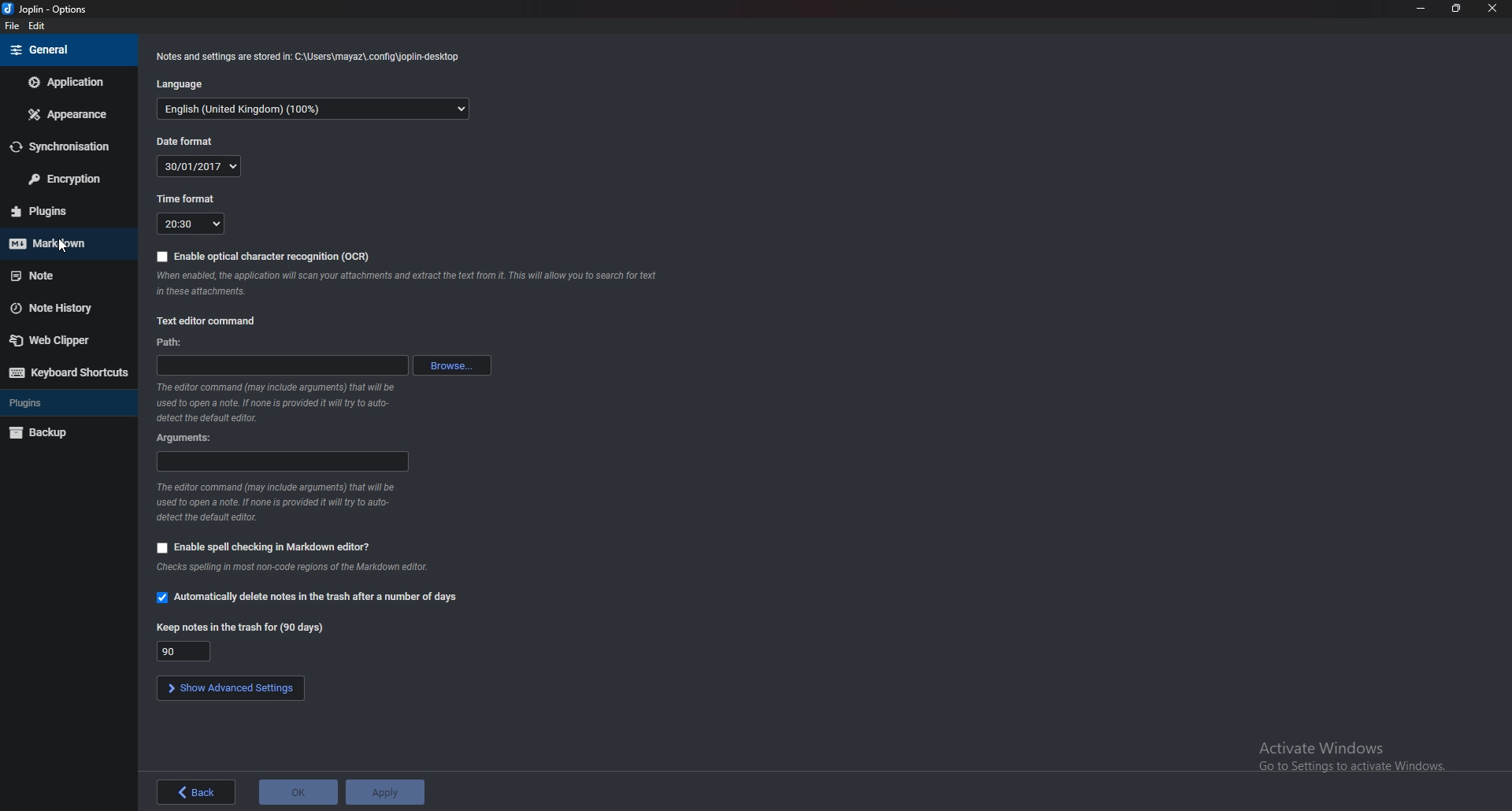 The image size is (1512, 811). I want to click on edit, so click(39, 24).